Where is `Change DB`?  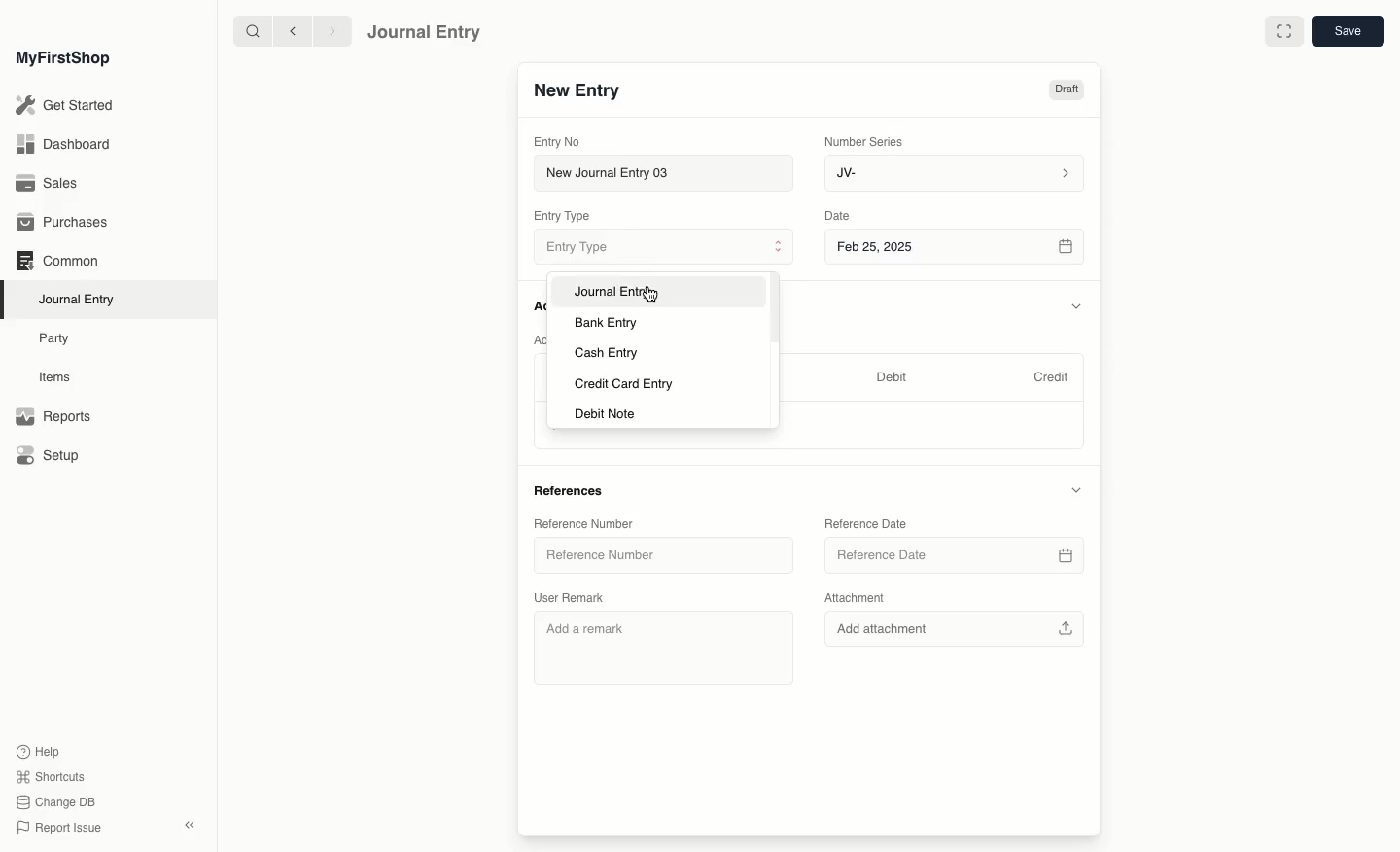 Change DB is located at coordinates (56, 803).